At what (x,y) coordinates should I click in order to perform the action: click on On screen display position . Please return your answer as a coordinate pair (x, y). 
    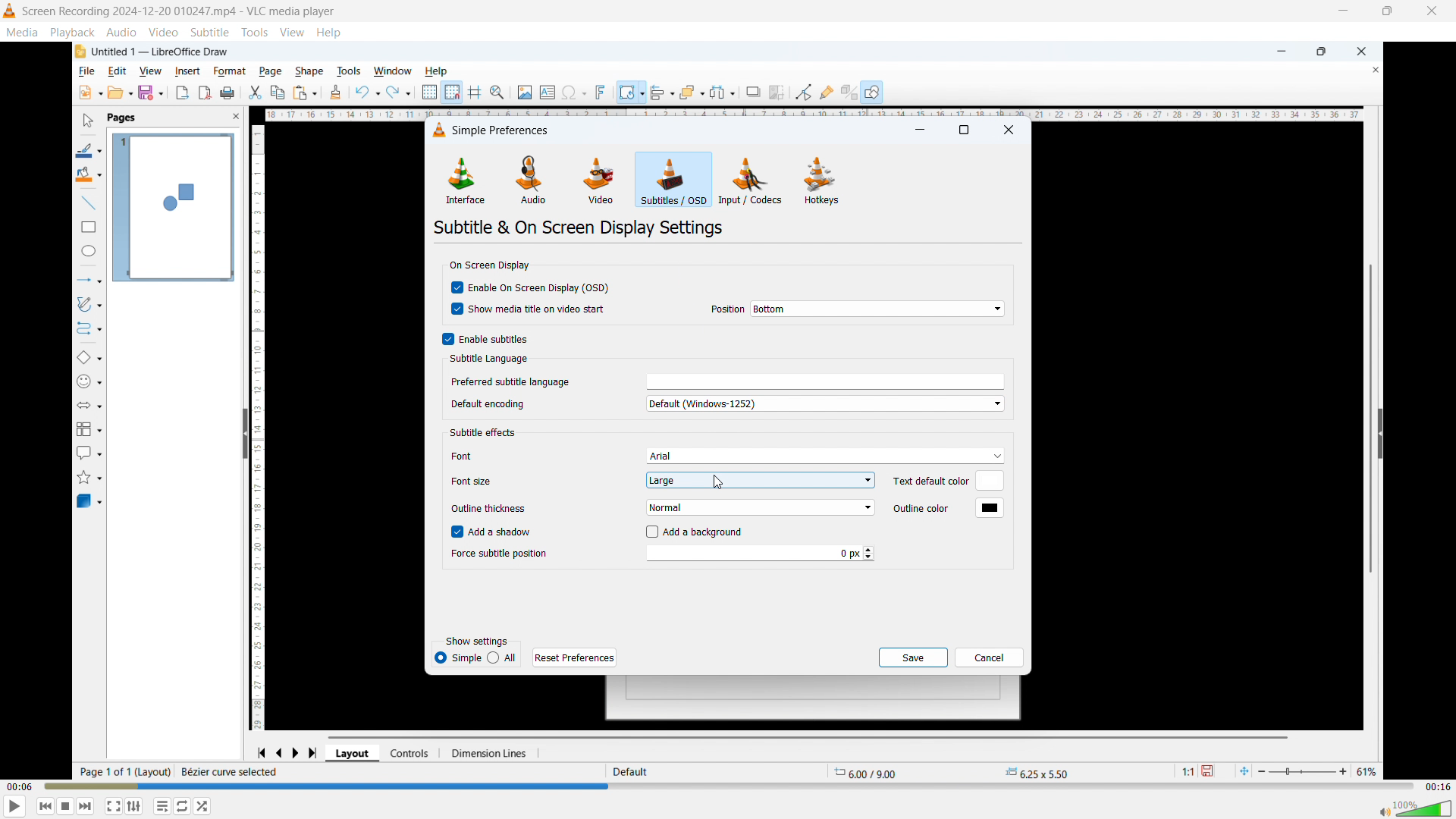
    Looking at the image, I should click on (875, 309).